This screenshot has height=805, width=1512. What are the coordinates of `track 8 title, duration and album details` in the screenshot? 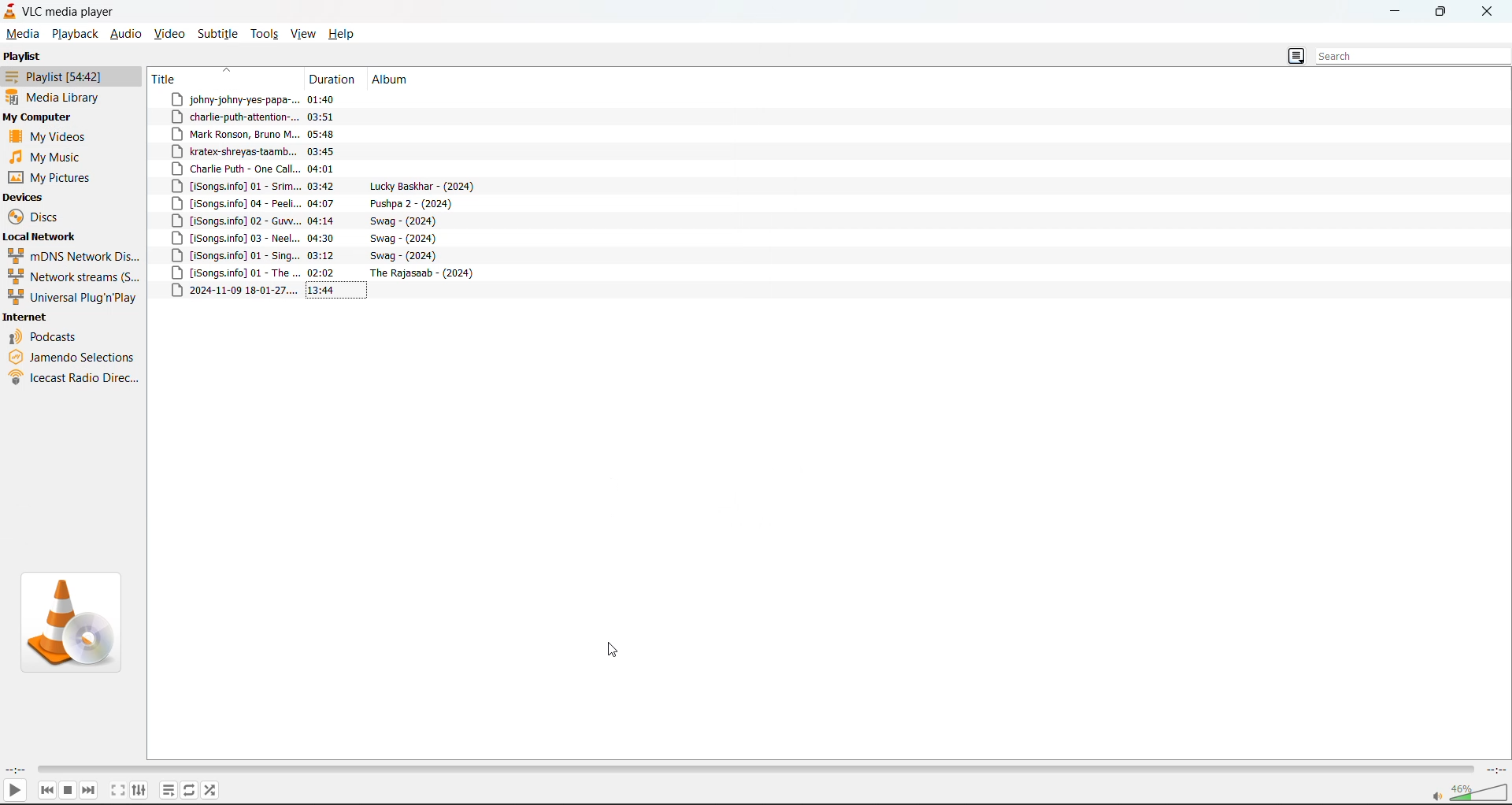 It's located at (306, 222).